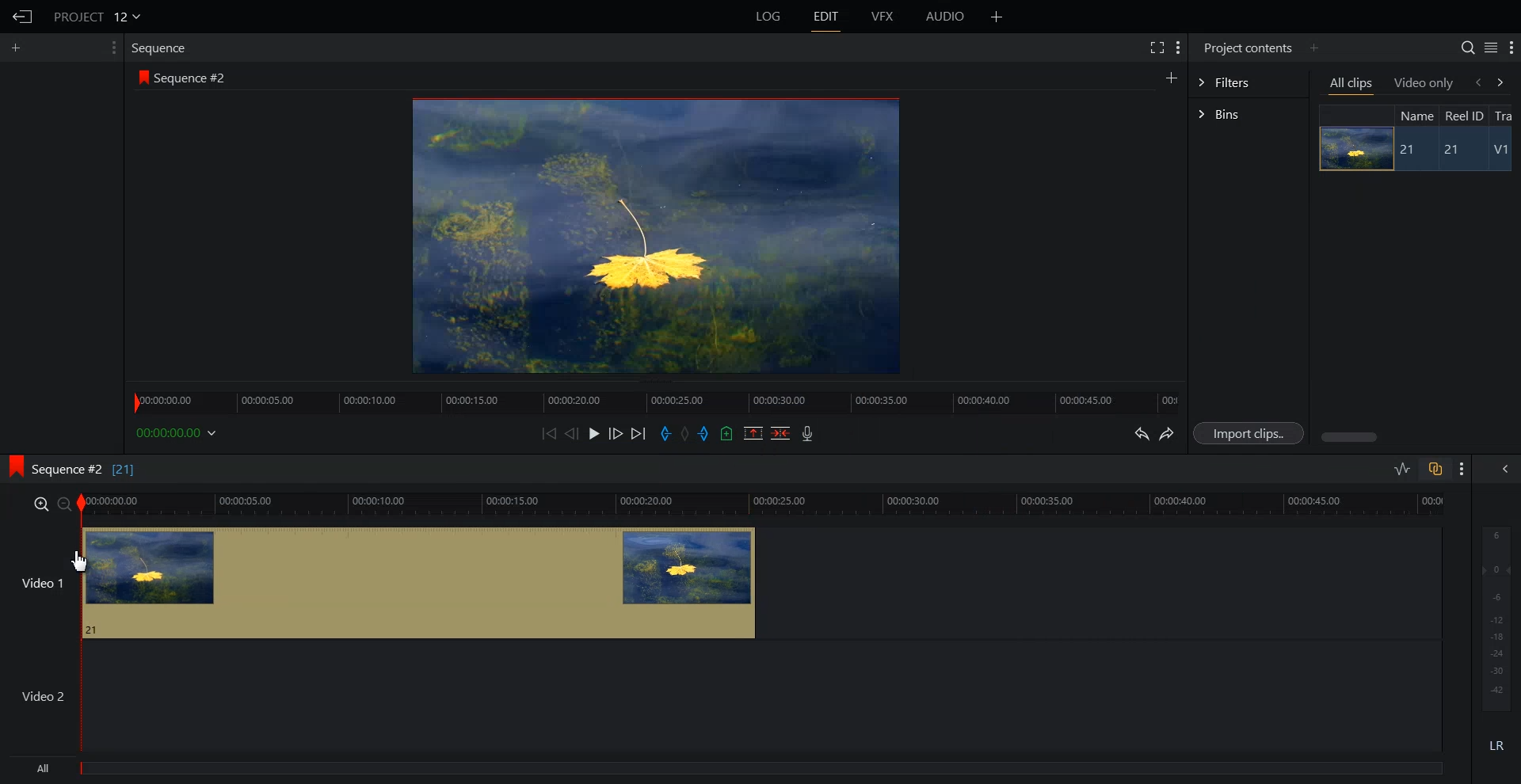 The image size is (1521, 784). Describe the element at coordinates (1246, 46) in the screenshot. I see `Project contents` at that location.